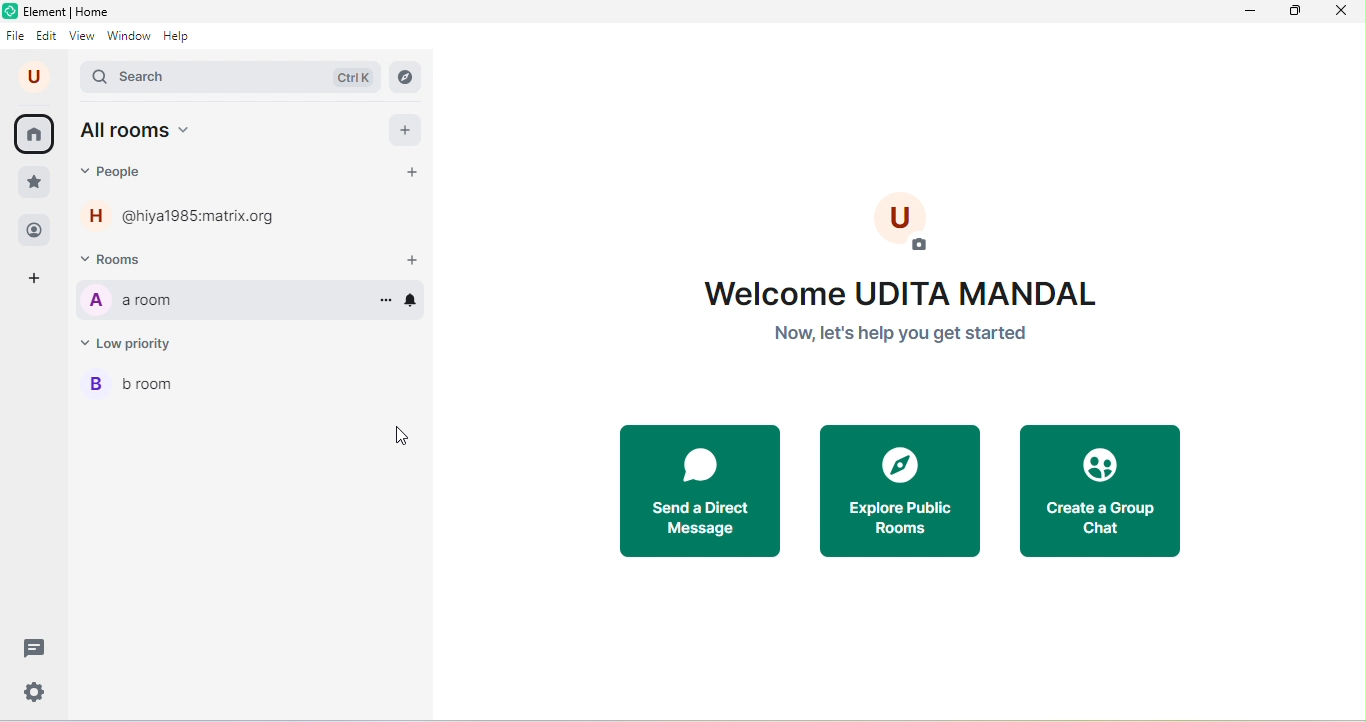  What do you see at coordinates (35, 692) in the screenshot?
I see `quick settings` at bounding box center [35, 692].